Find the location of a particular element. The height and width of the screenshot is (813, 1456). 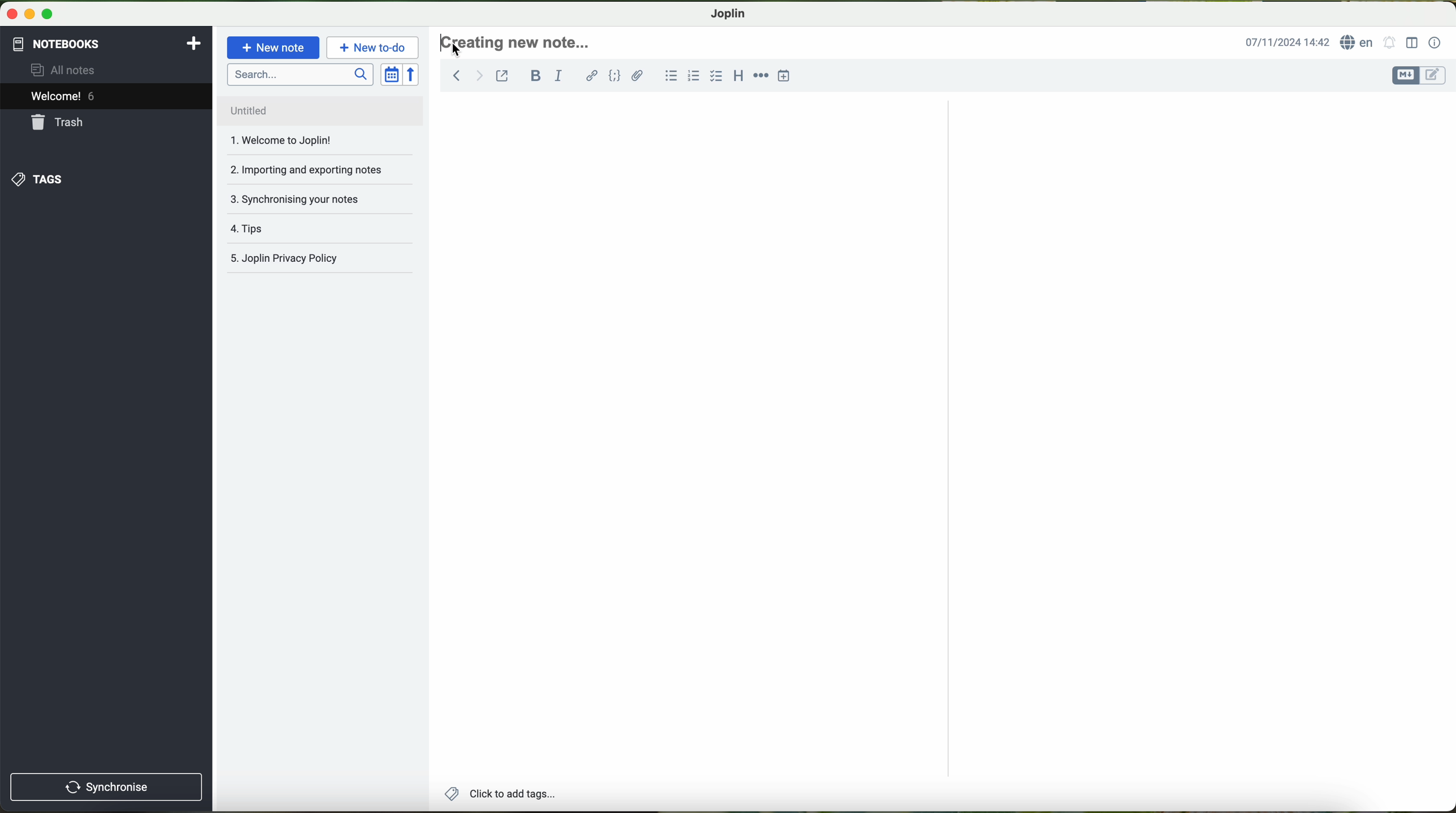

Joplin privacy policy is located at coordinates (315, 259).